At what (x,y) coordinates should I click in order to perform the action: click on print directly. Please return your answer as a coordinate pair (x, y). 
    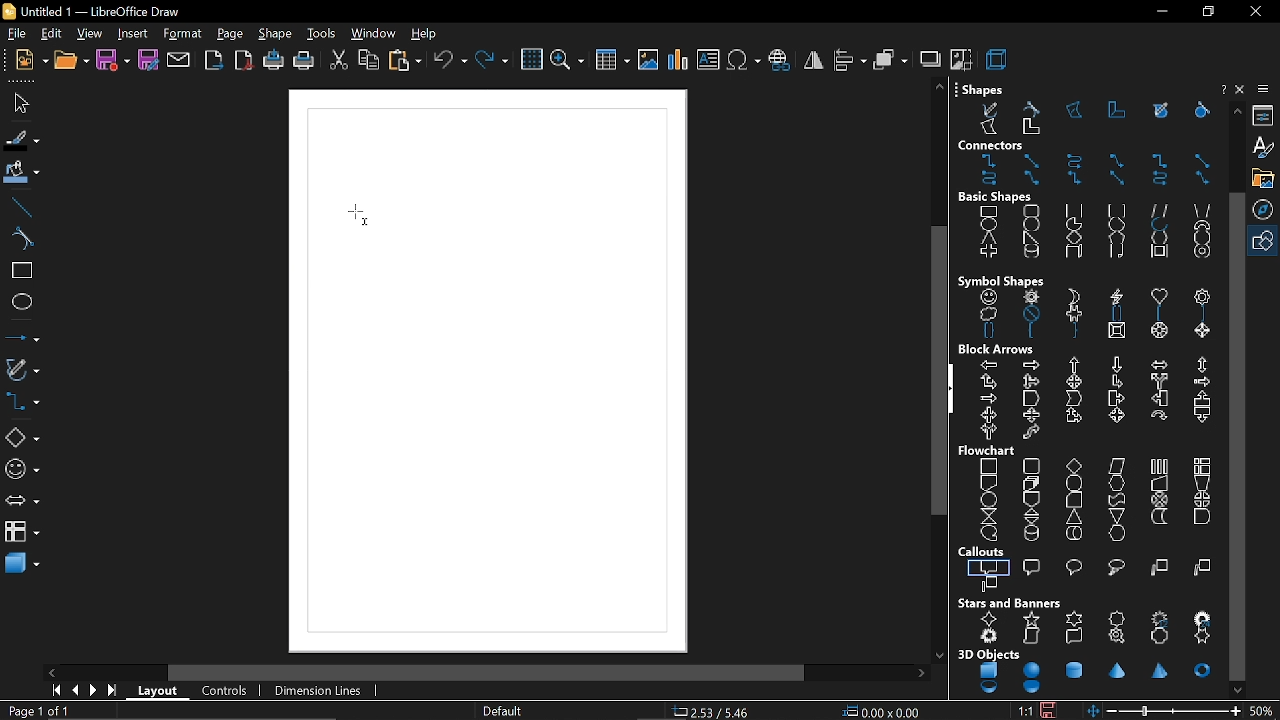
    Looking at the image, I should click on (274, 62).